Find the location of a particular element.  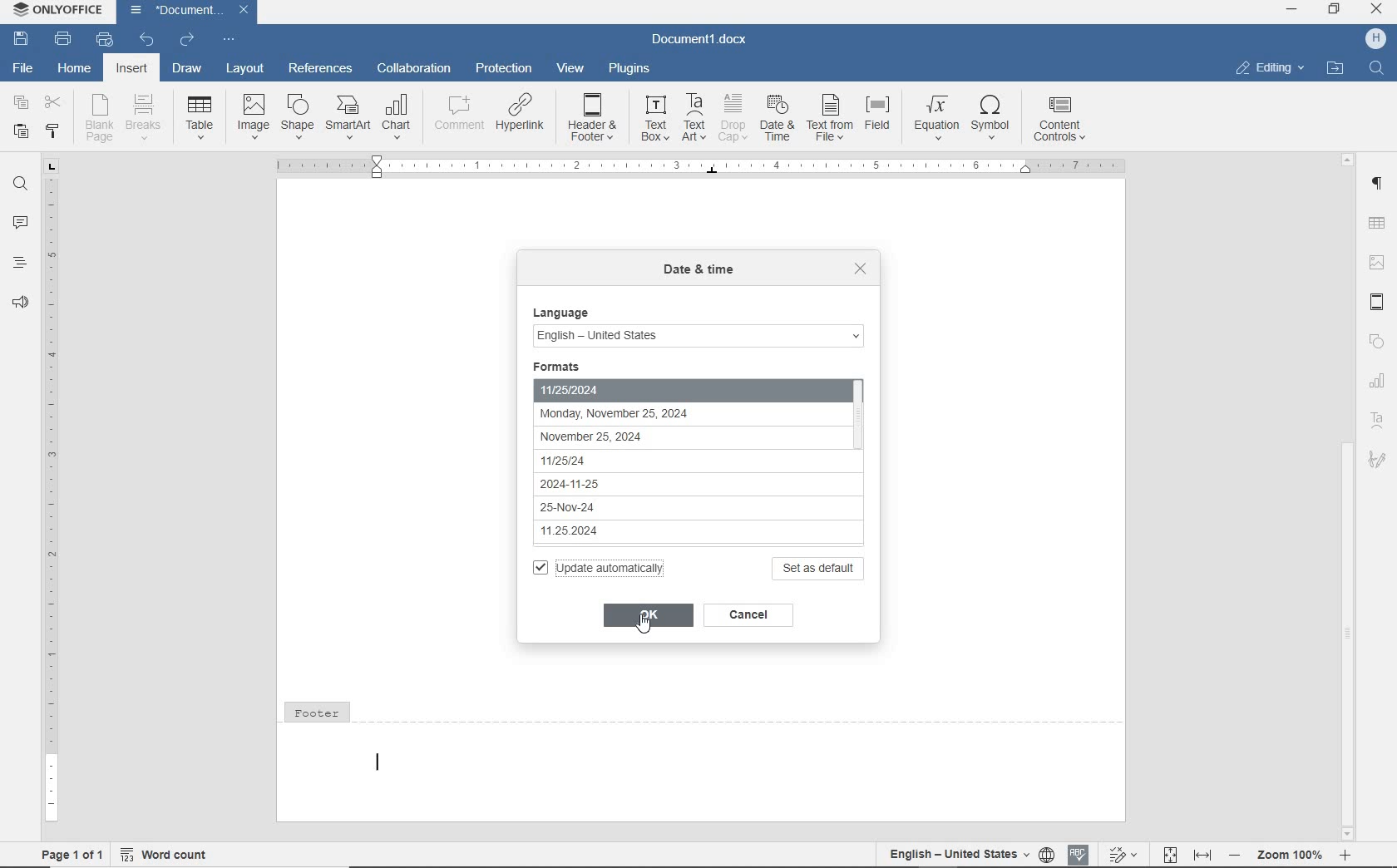

view is located at coordinates (570, 67).